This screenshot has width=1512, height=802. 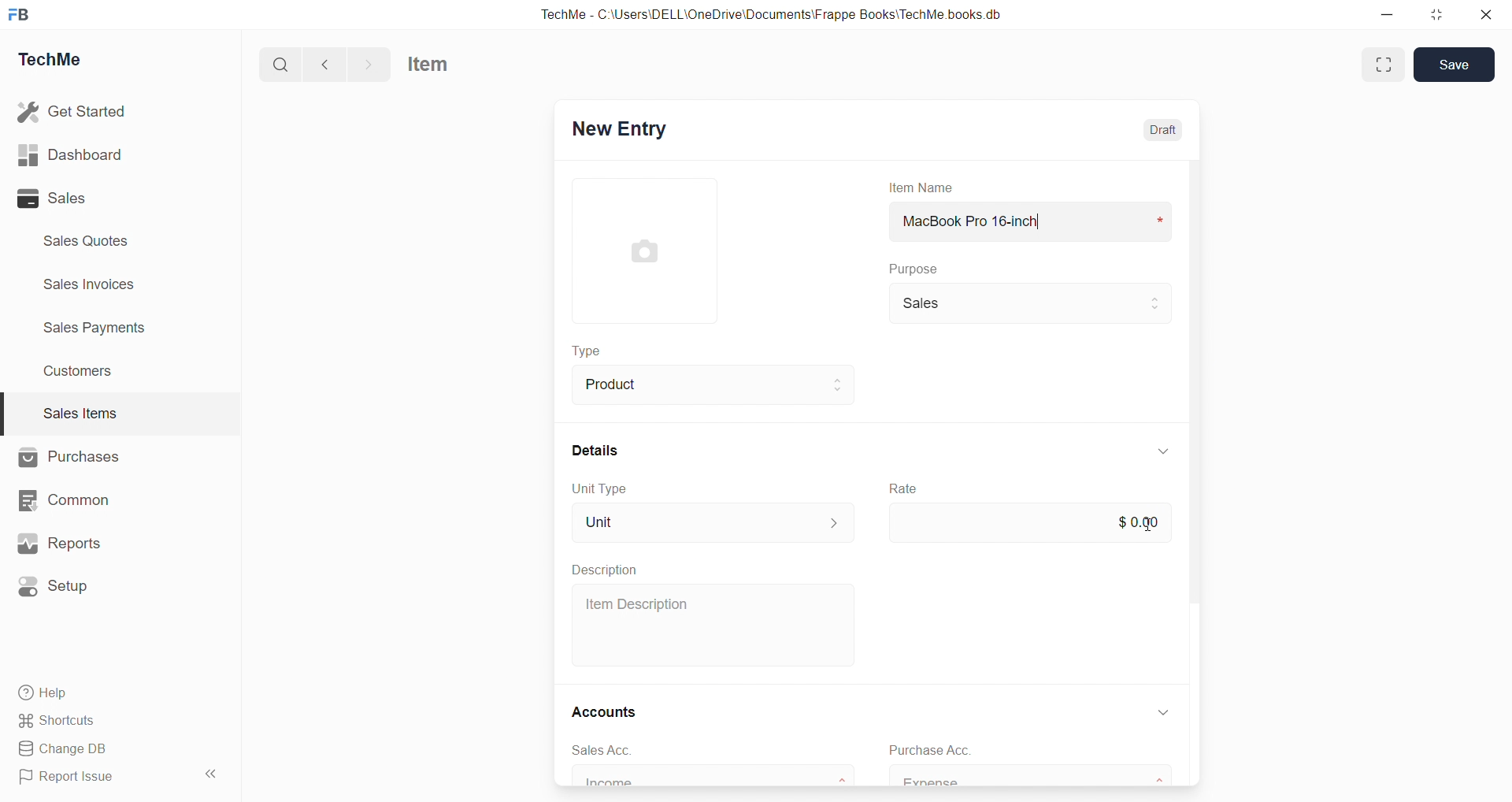 What do you see at coordinates (1458, 65) in the screenshot?
I see `Save` at bounding box center [1458, 65].